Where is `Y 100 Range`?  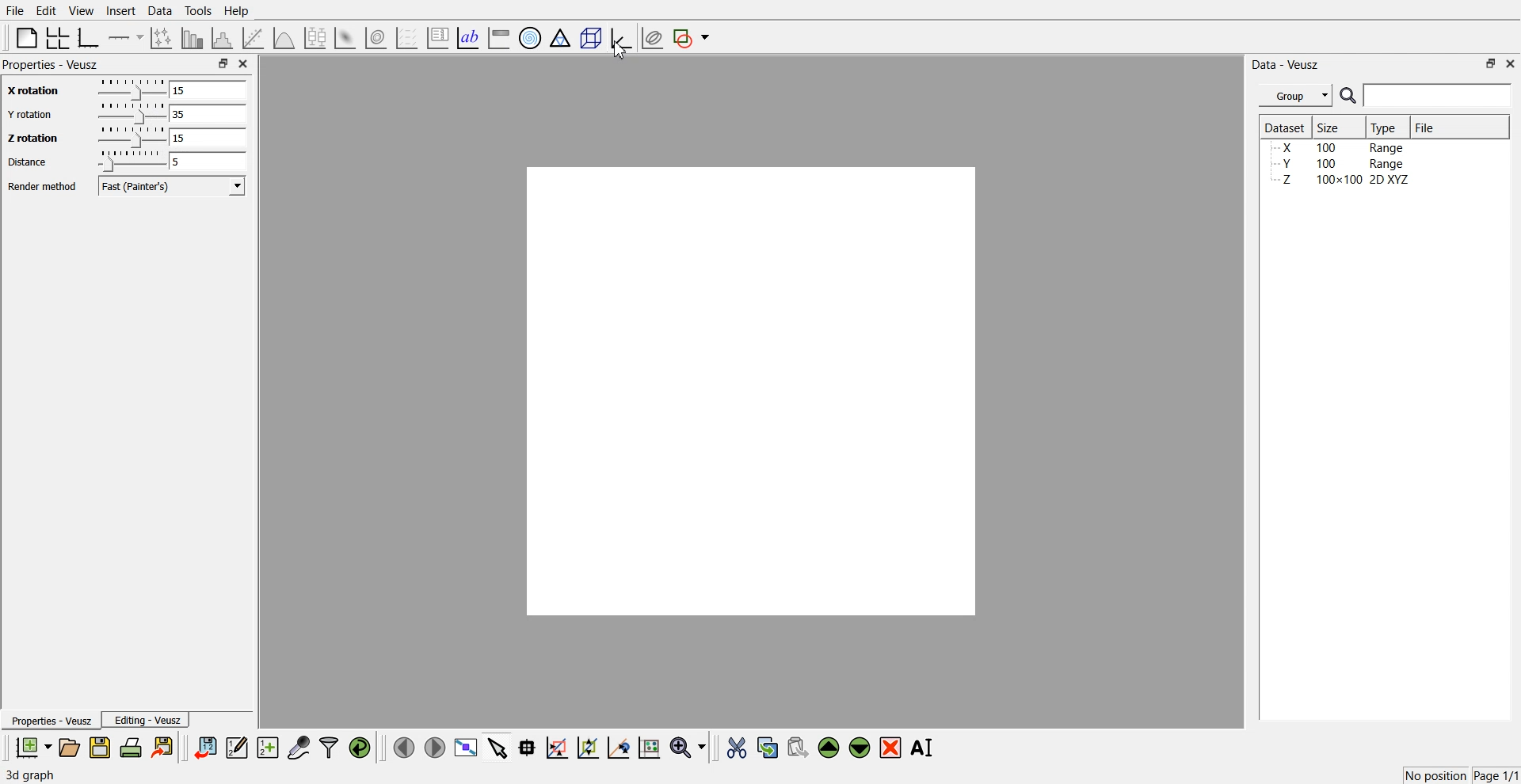
Y 100 Range is located at coordinates (1341, 164).